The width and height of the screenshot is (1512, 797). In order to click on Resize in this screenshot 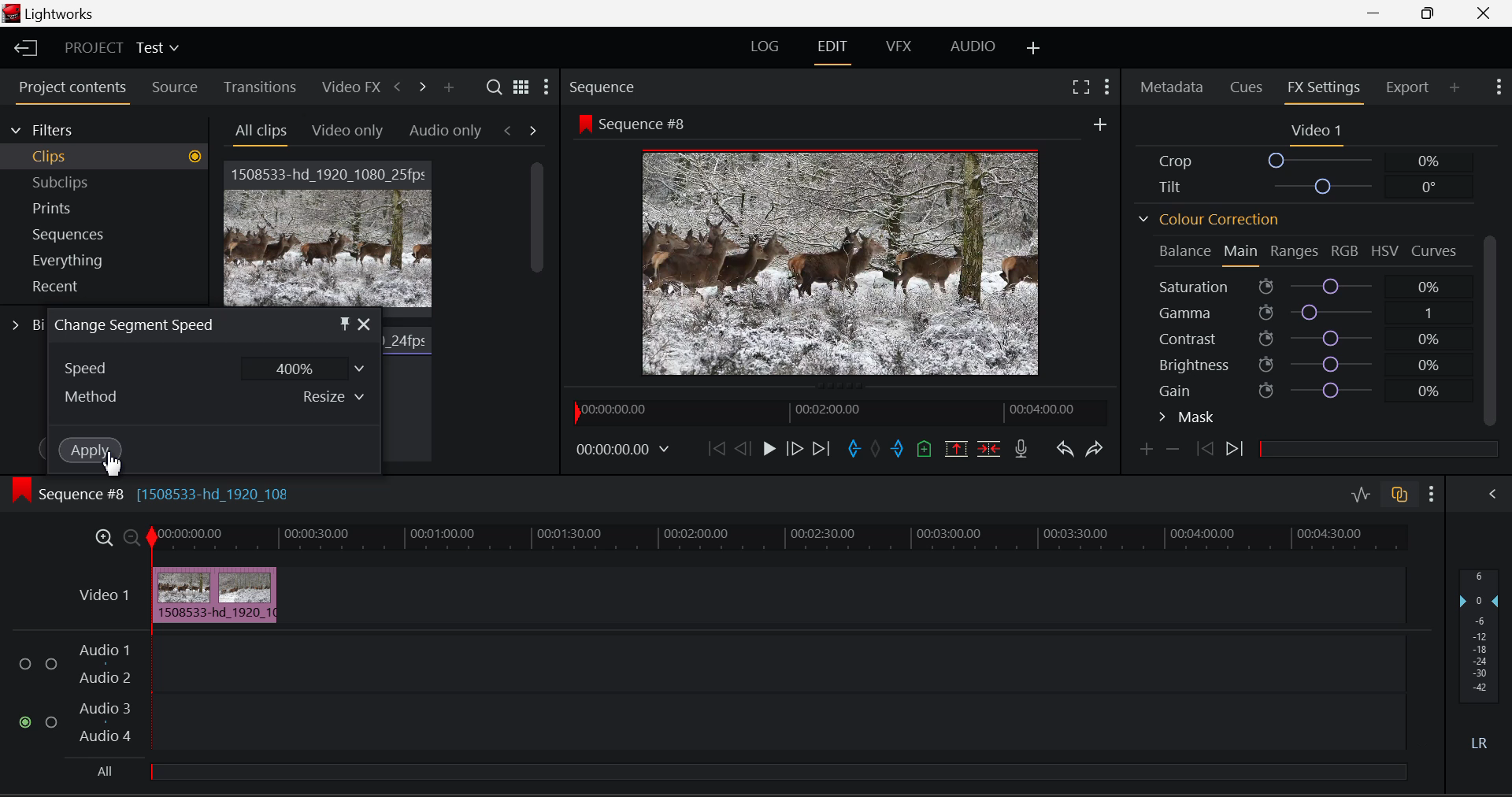, I will do `click(335, 395)`.